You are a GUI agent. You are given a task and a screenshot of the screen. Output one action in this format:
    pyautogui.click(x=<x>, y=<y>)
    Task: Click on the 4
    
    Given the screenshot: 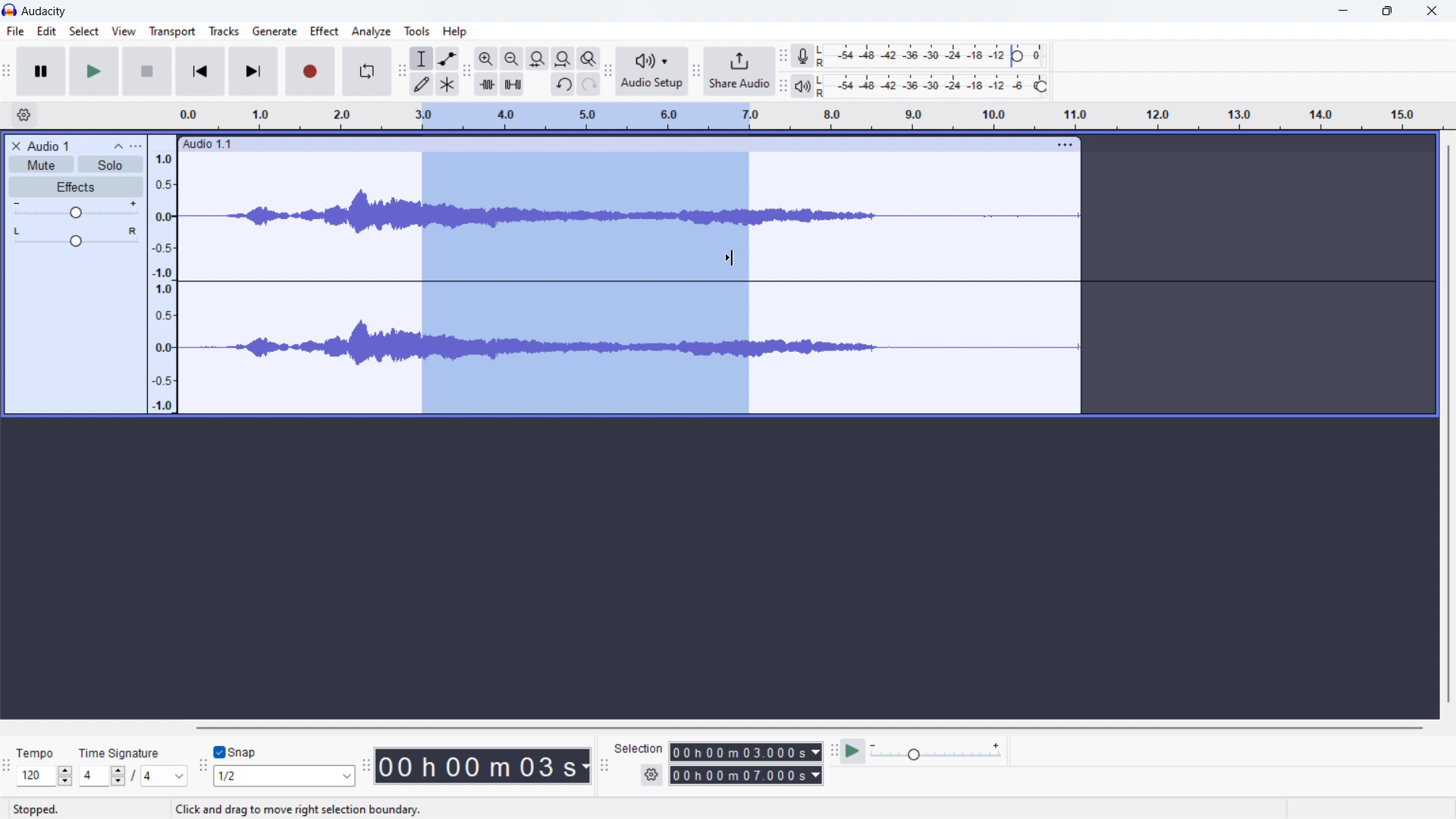 What is the action you would take?
    pyautogui.click(x=165, y=777)
    